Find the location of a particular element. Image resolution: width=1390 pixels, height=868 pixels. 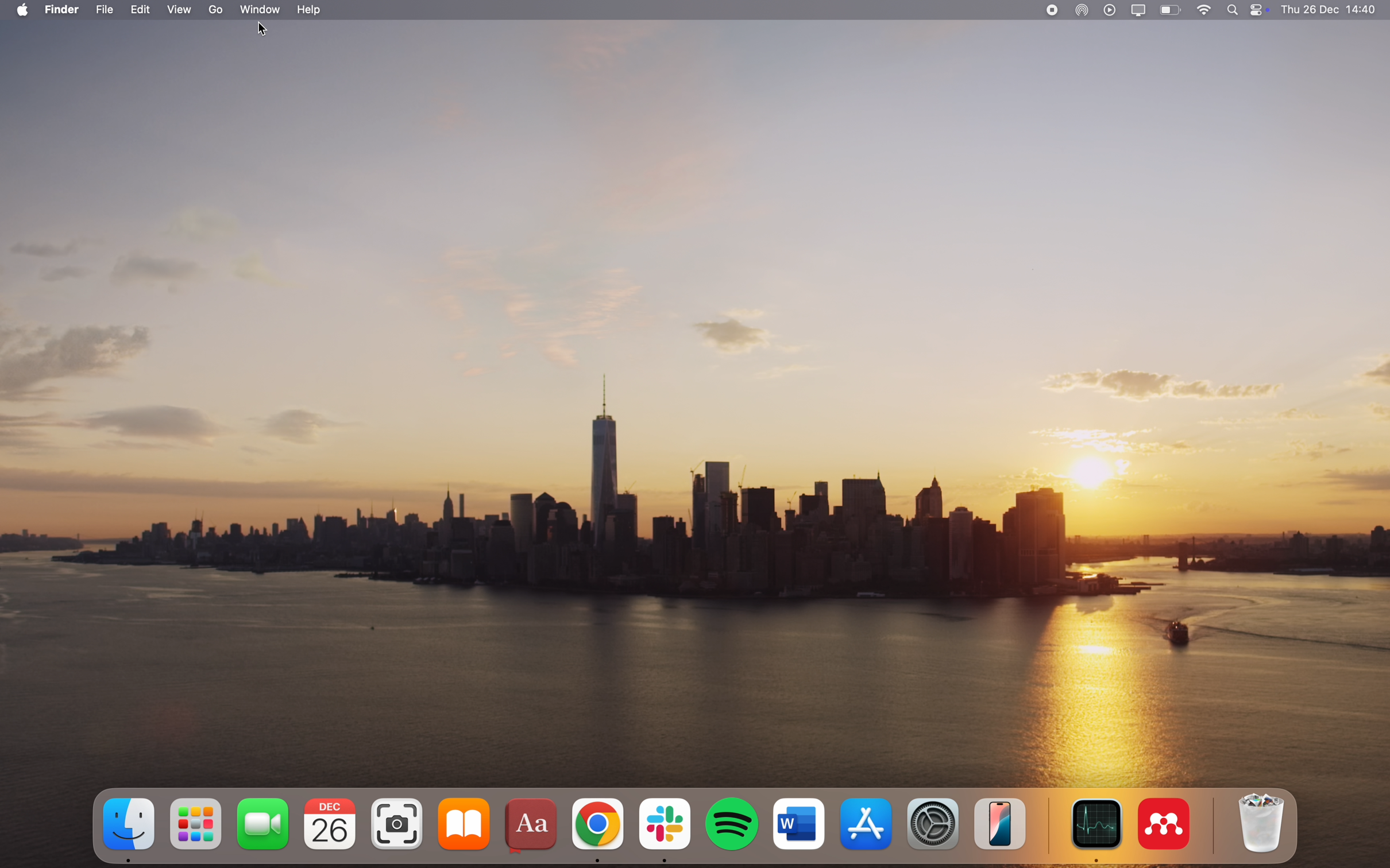

file is located at coordinates (106, 8).